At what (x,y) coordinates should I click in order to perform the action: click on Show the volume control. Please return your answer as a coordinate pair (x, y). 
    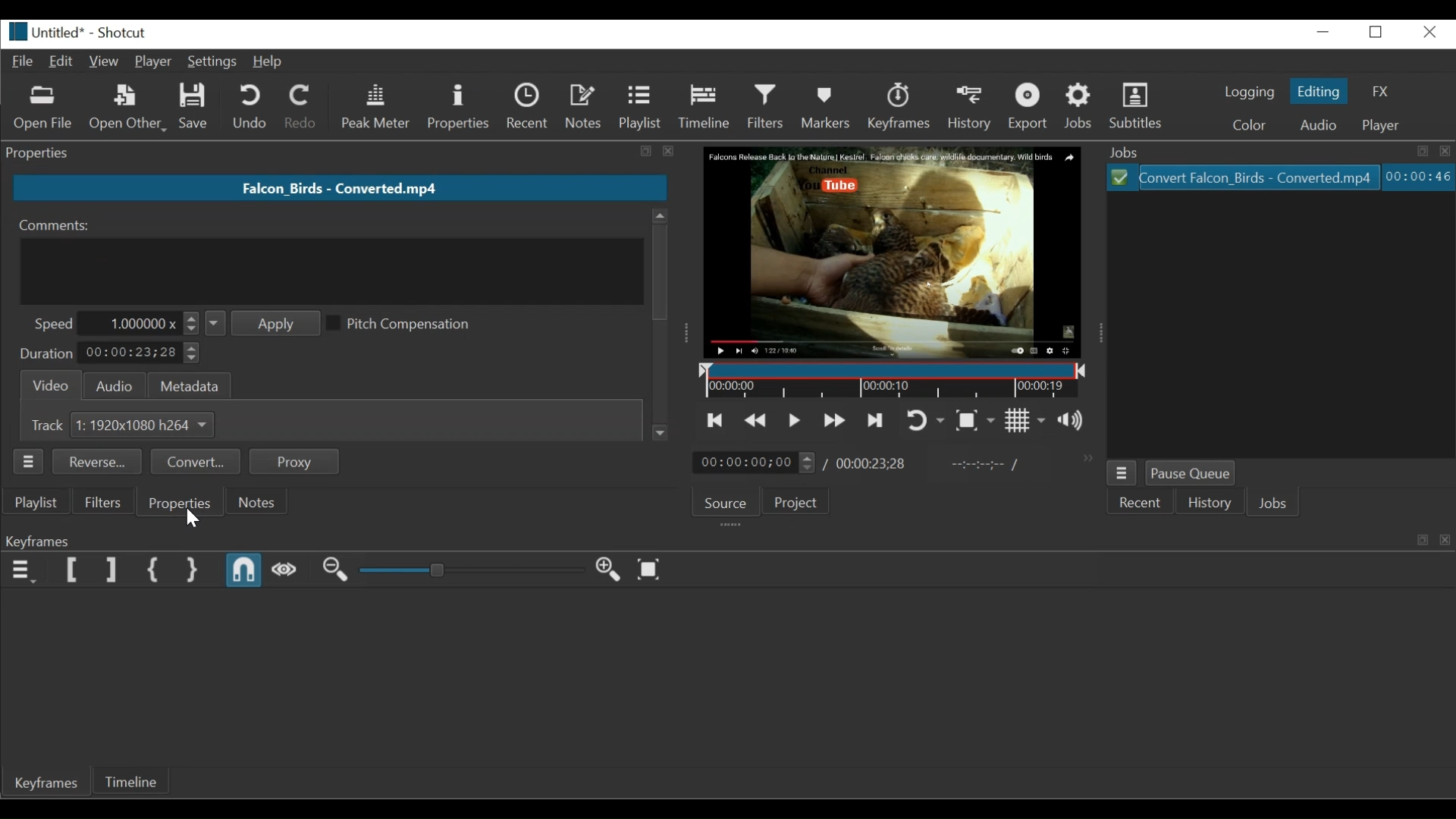
    Looking at the image, I should click on (1073, 421).